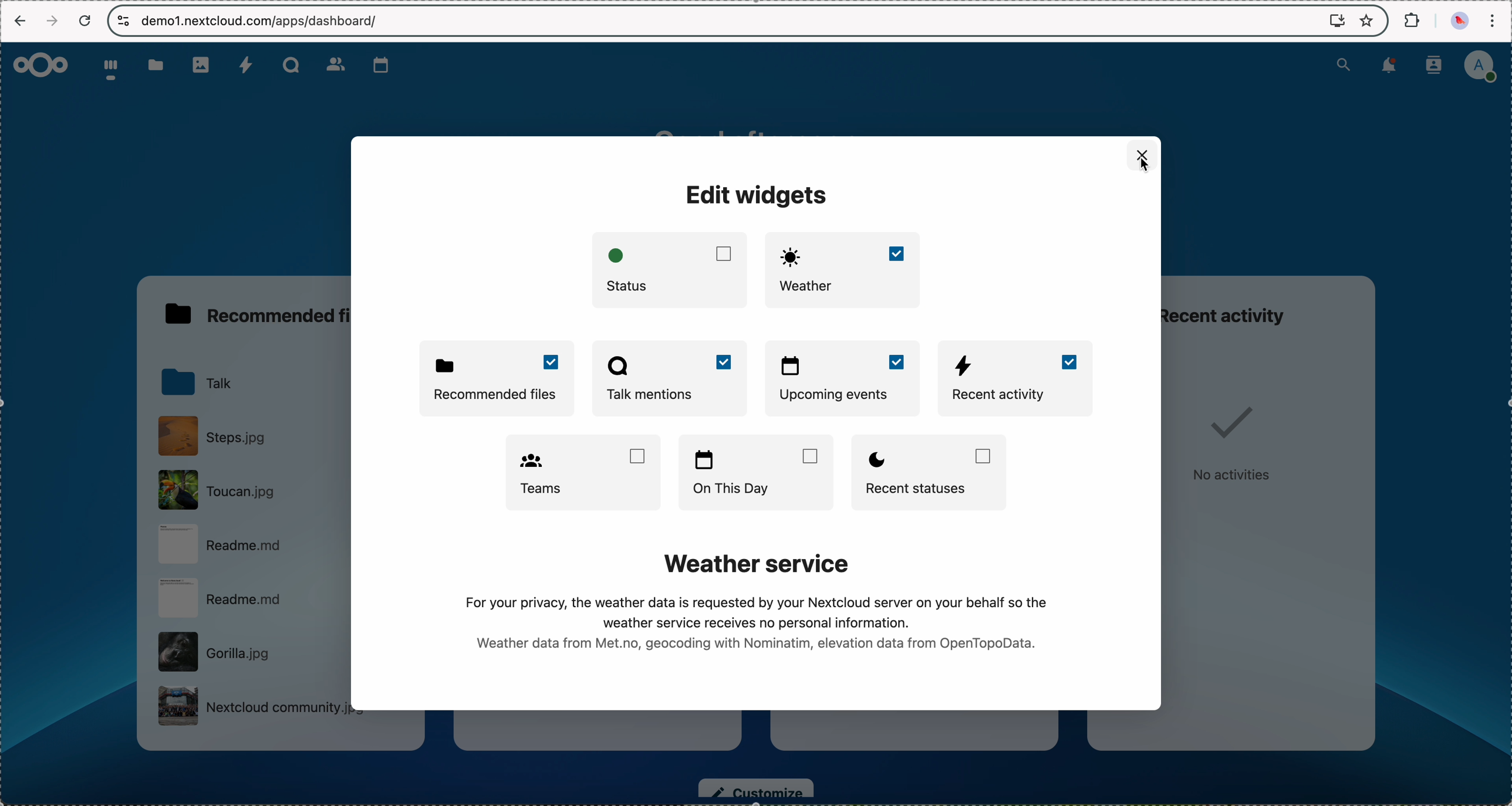  Describe the element at coordinates (1410, 19) in the screenshot. I see `extensions` at that location.